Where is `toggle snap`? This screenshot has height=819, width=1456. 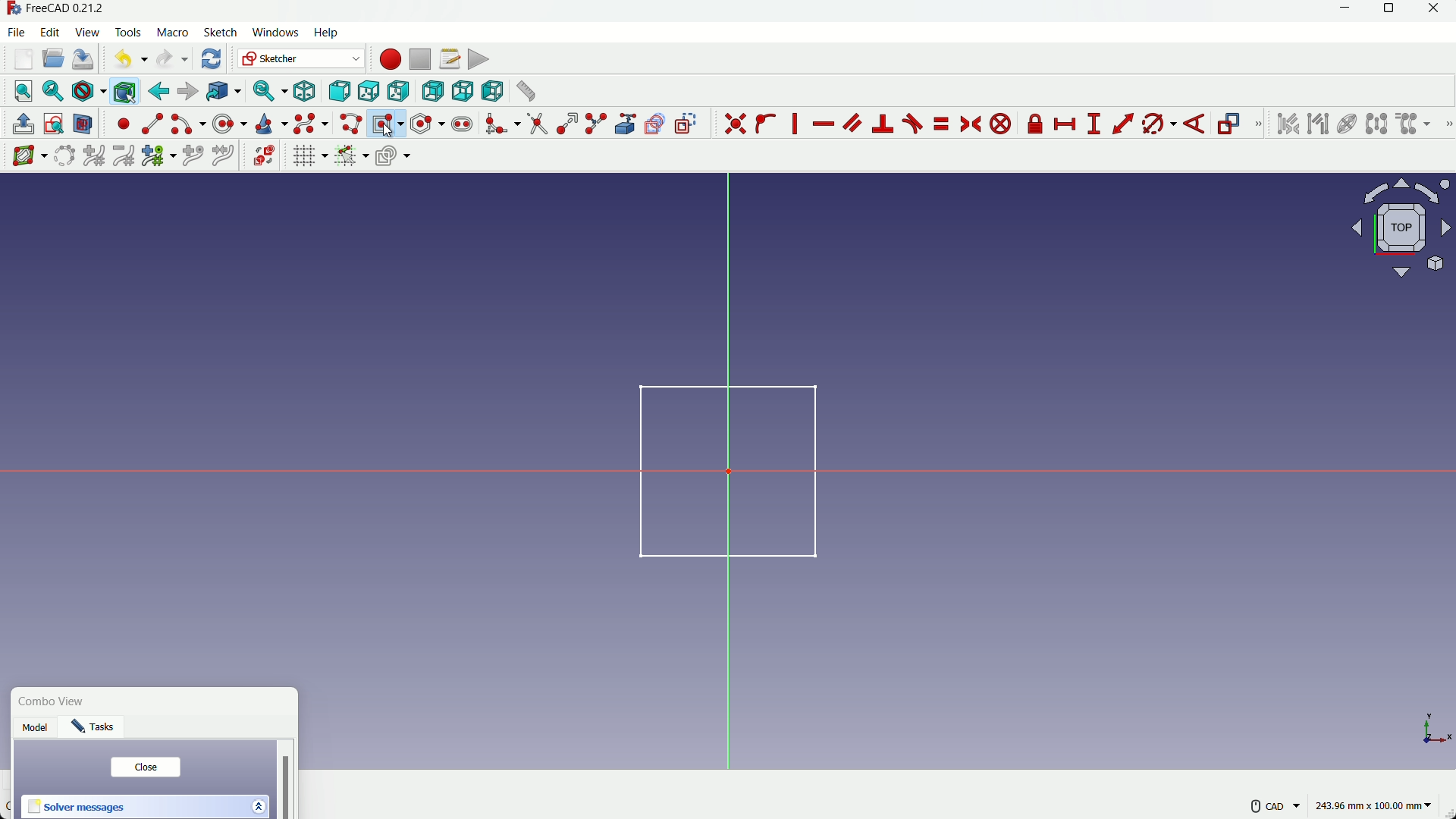
toggle snap is located at coordinates (351, 155).